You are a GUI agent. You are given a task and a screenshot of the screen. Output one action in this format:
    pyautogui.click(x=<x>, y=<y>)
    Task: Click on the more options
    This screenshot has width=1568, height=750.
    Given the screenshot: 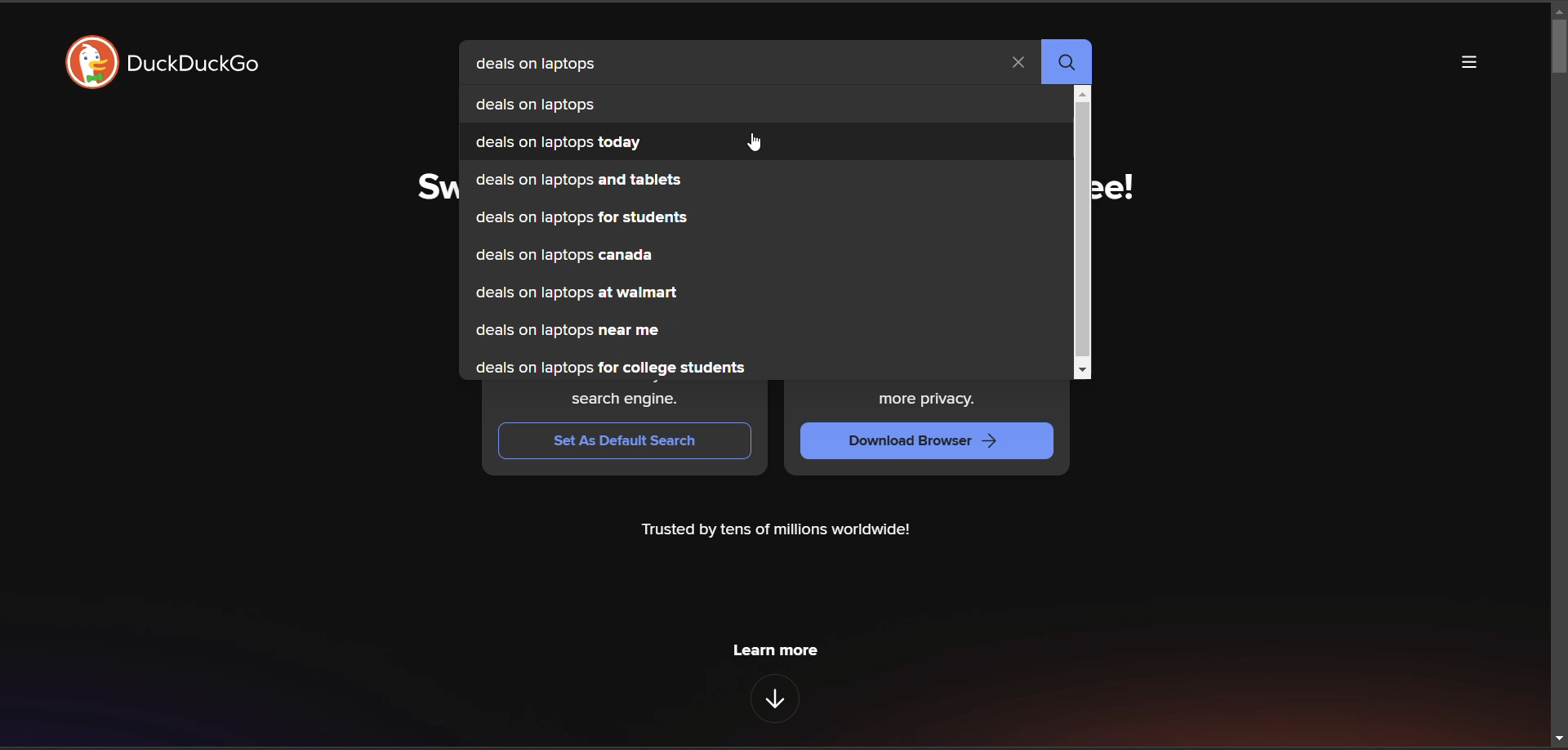 What is the action you would take?
    pyautogui.click(x=1466, y=65)
    